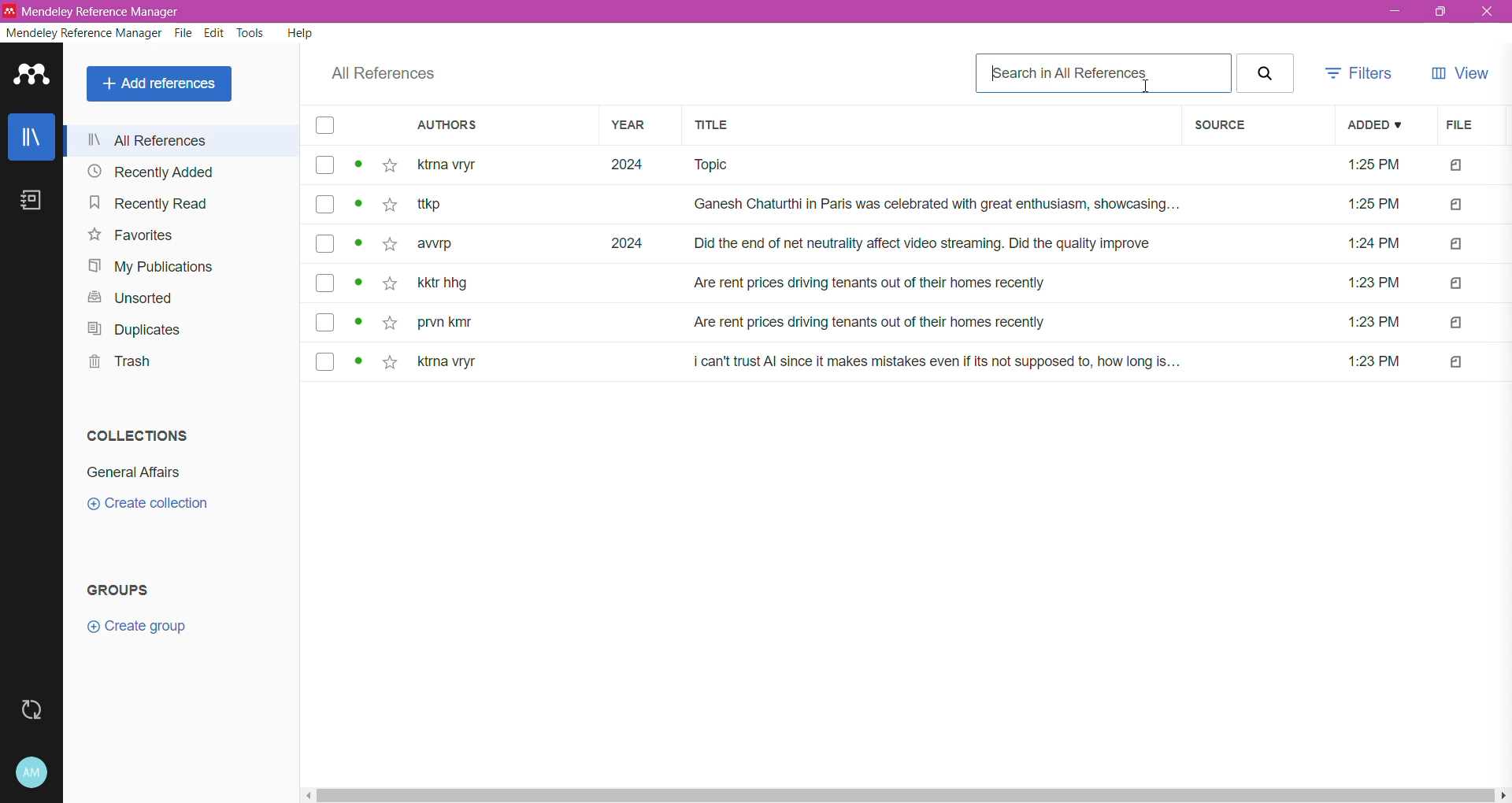  I want to click on Added, so click(1375, 125).